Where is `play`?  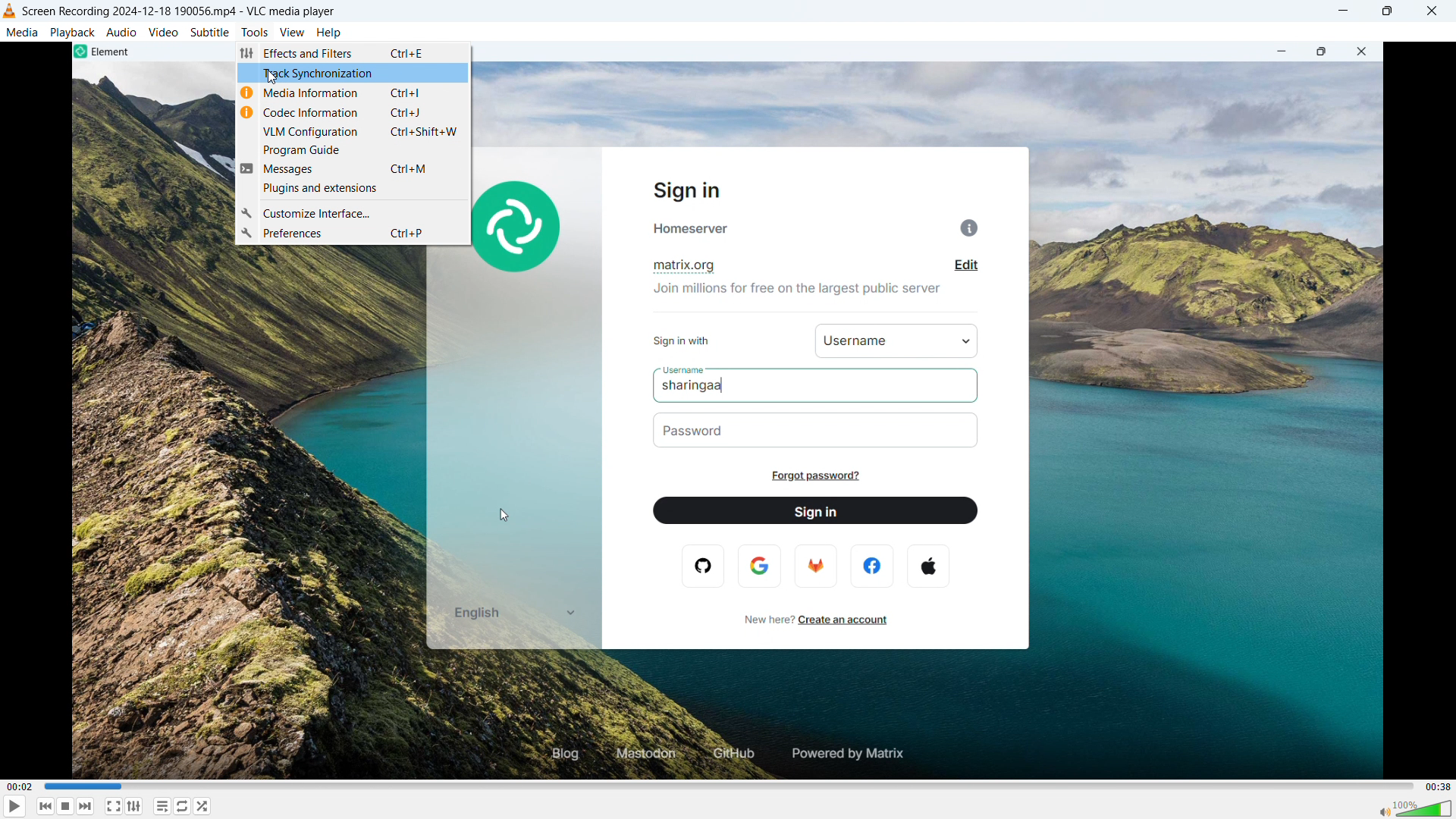
play is located at coordinates (16, 807).